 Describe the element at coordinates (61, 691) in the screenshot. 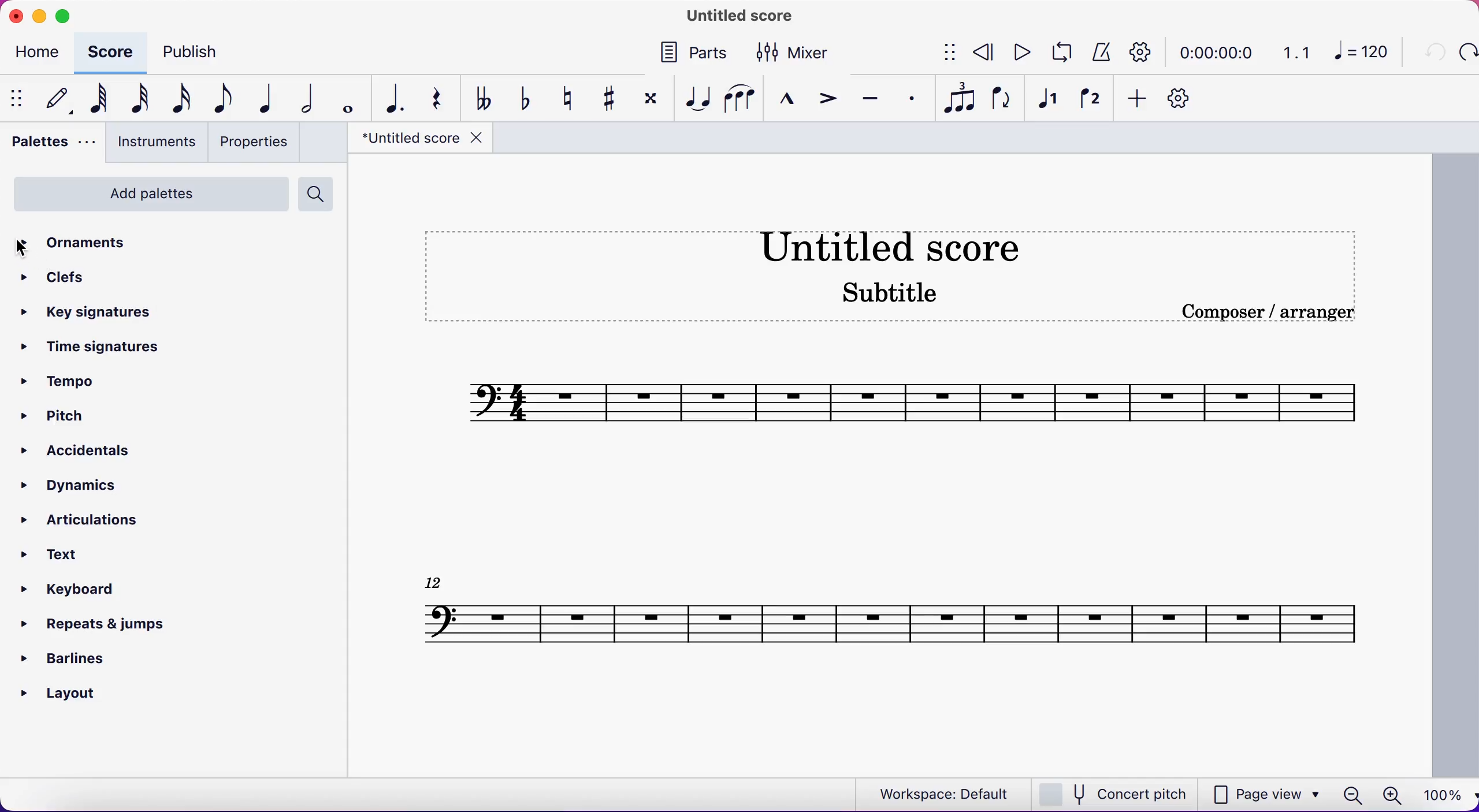

I see `layout` at that location.